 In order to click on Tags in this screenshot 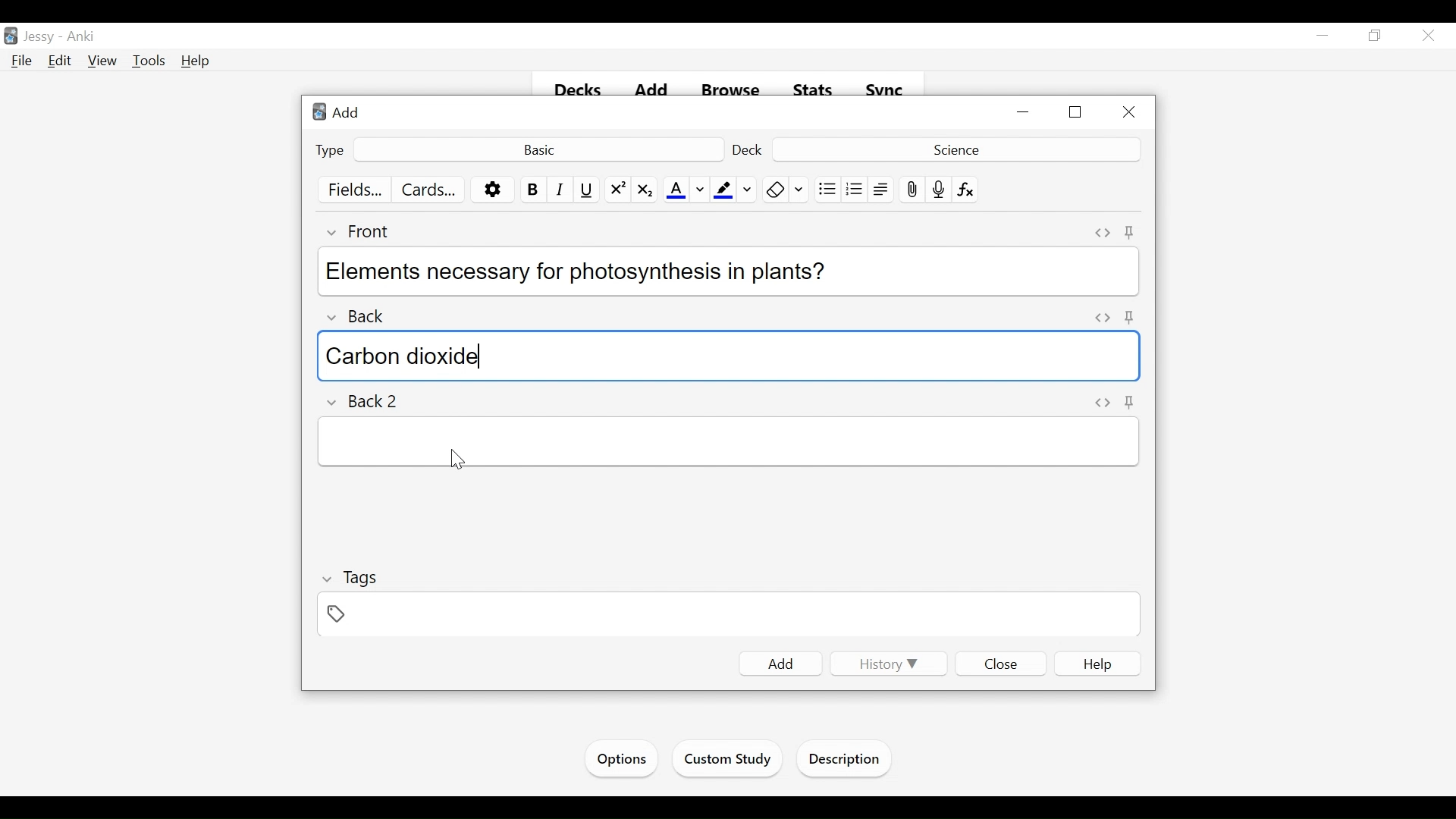, I will do `click(351, 578)`.